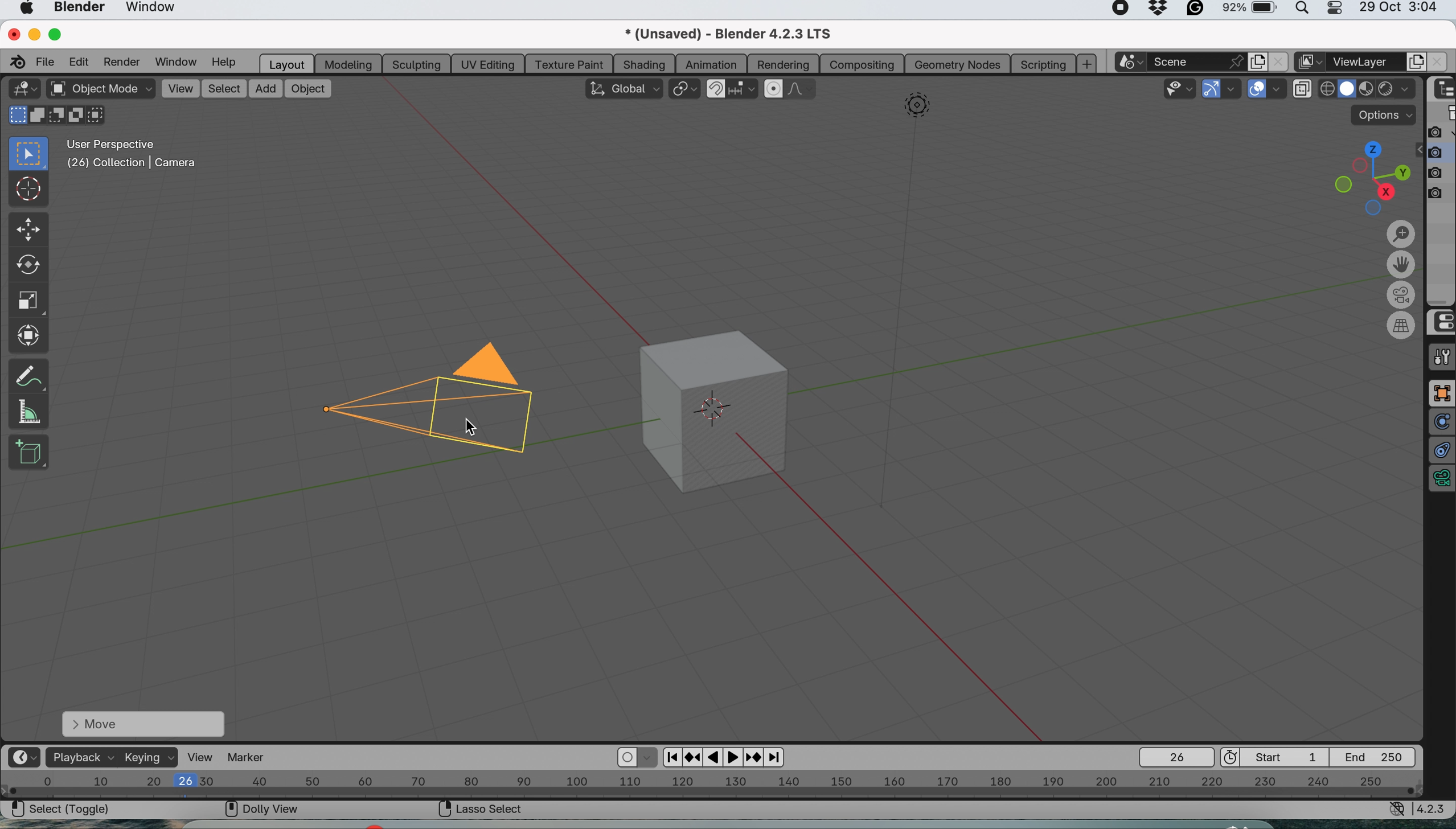 This screenshot has width=1456, height=829. What do you see at coordinates (346, 63) in the screenshot?
I see `modeling` at bounding box center [346, 63].